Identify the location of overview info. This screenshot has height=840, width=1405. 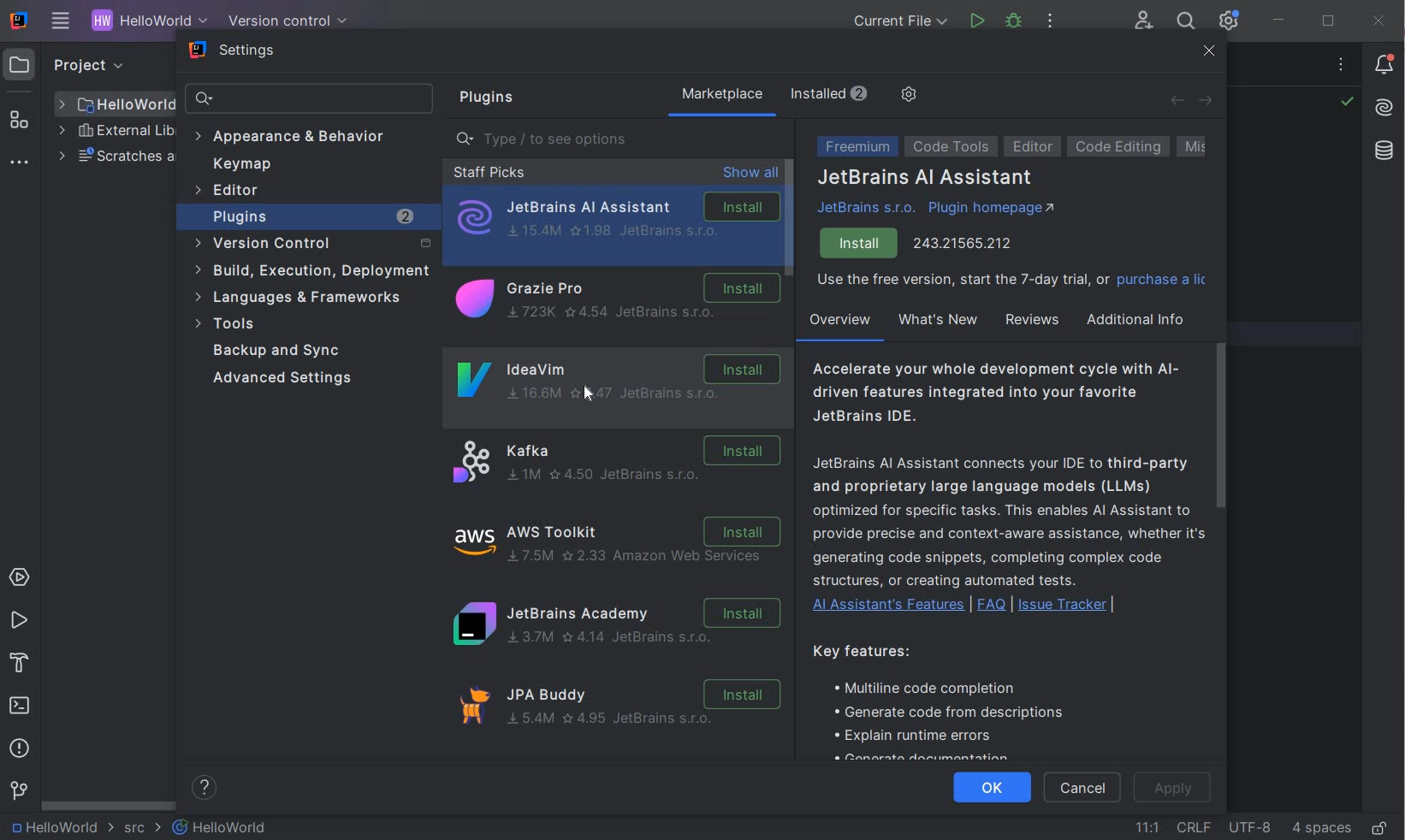
(1006, 489).